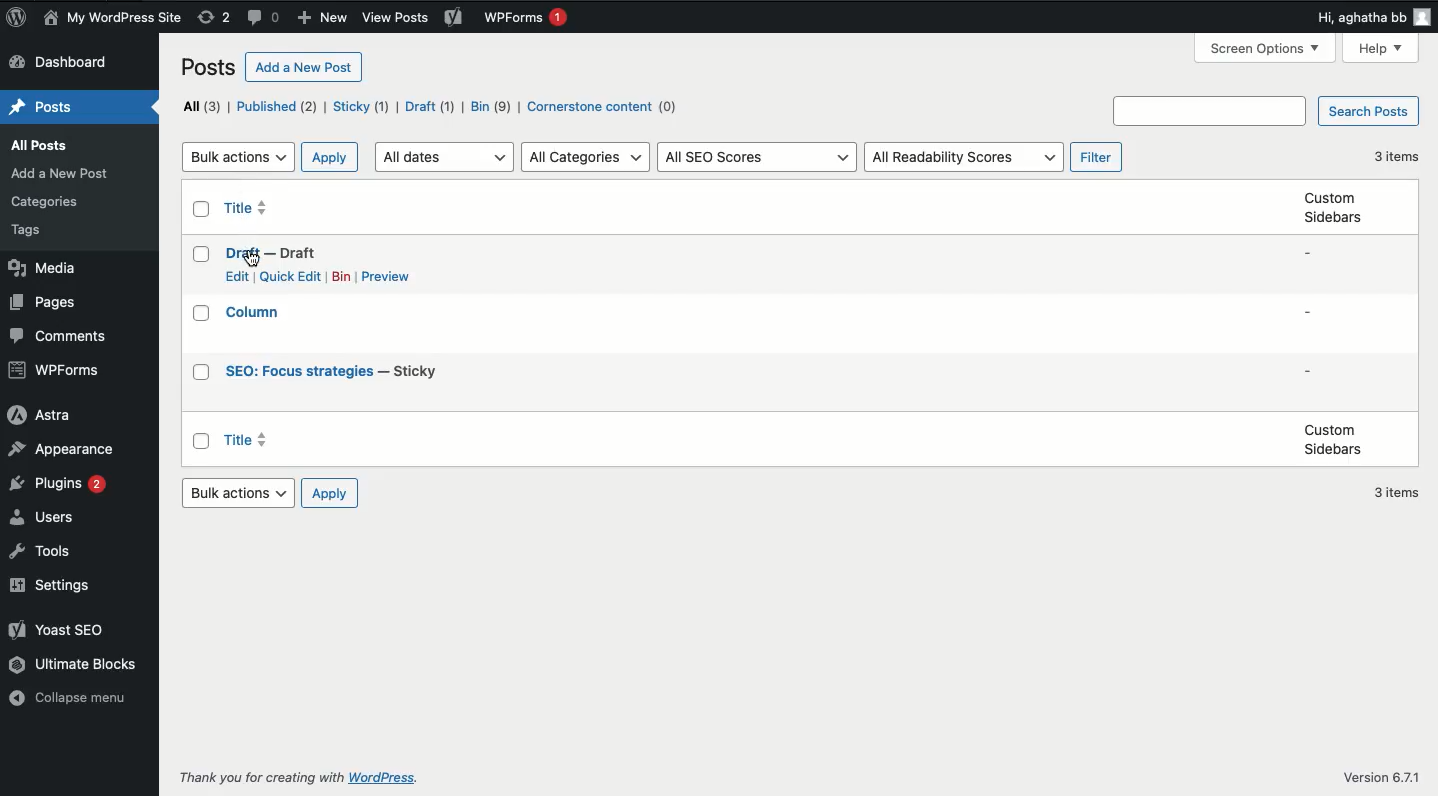 The width and height of the screenshot is (1438, 796). Describe the element at coordinates (216, 17) in the screenshot. I see `Revisions` at that location.